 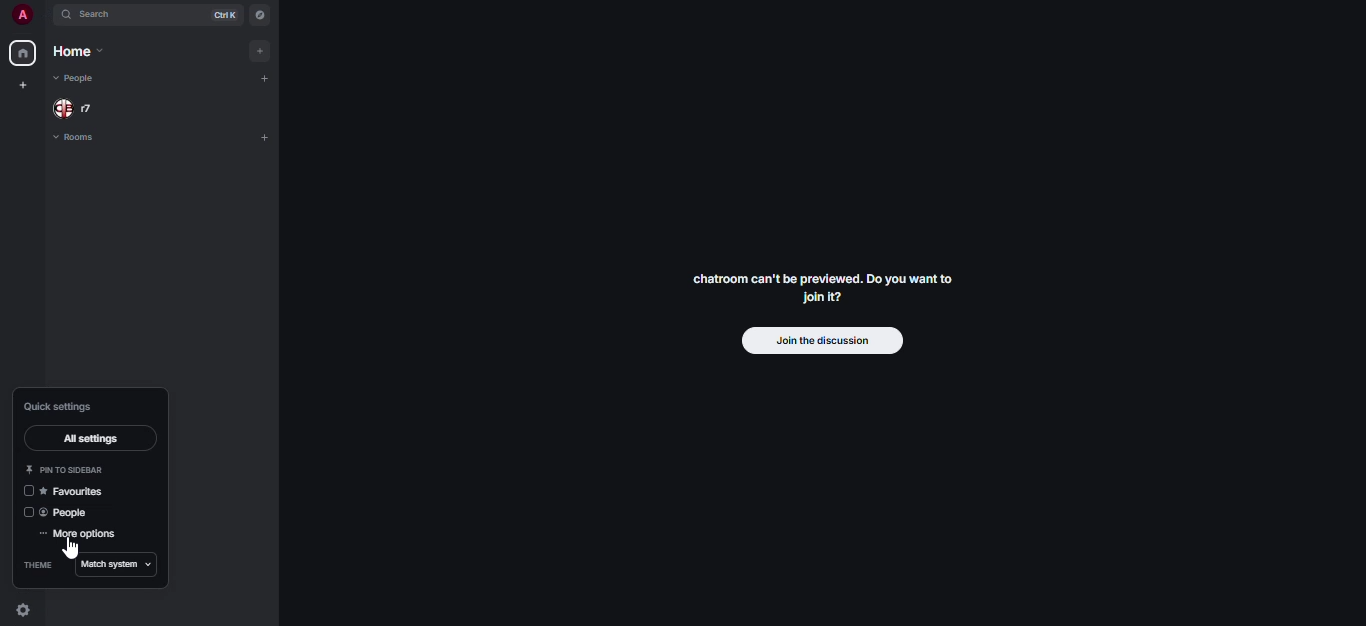 I want to click on ctrl K, so click(x=225, y=13).